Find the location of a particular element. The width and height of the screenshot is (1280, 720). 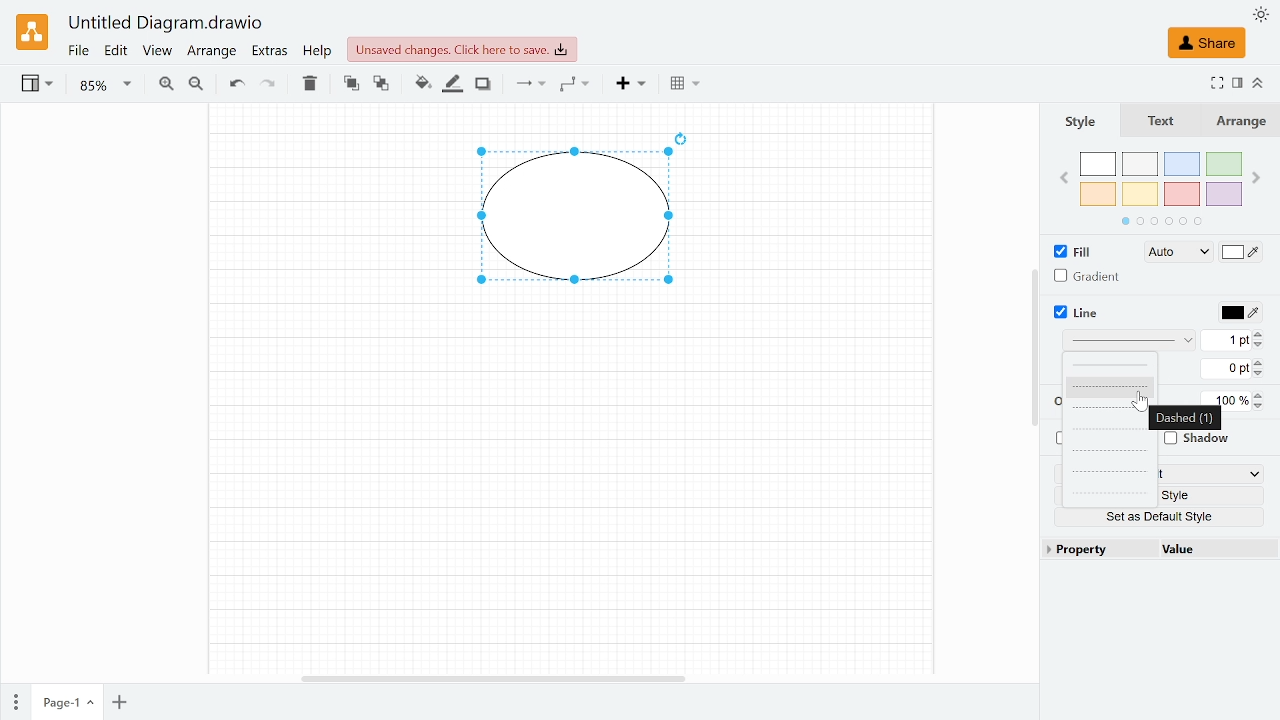

Decrease Opacity is located at coordinates (1262, 408).